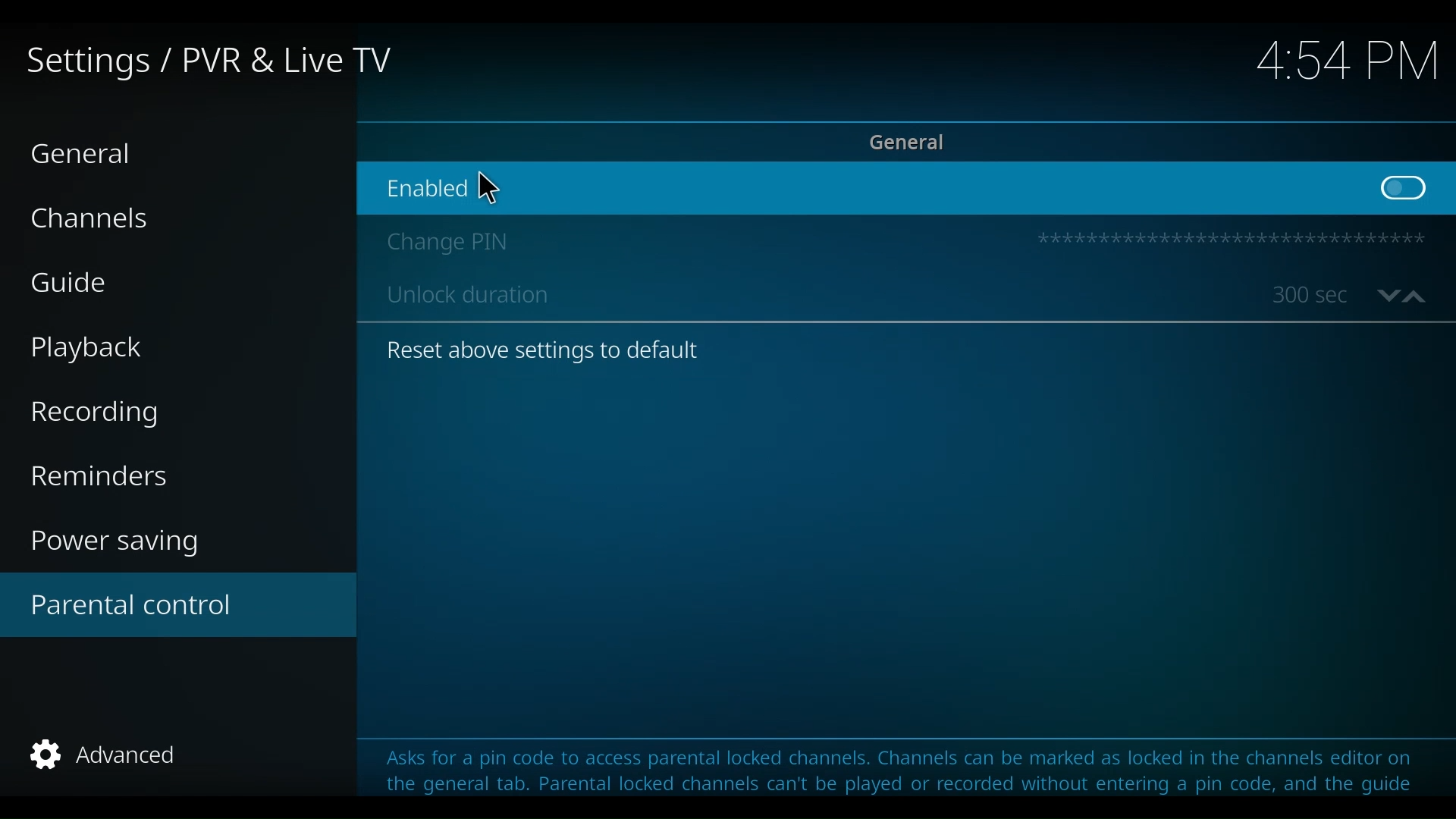 This screenshot has height=819, width=1456. I want to click on Recording, so click(95, 416).